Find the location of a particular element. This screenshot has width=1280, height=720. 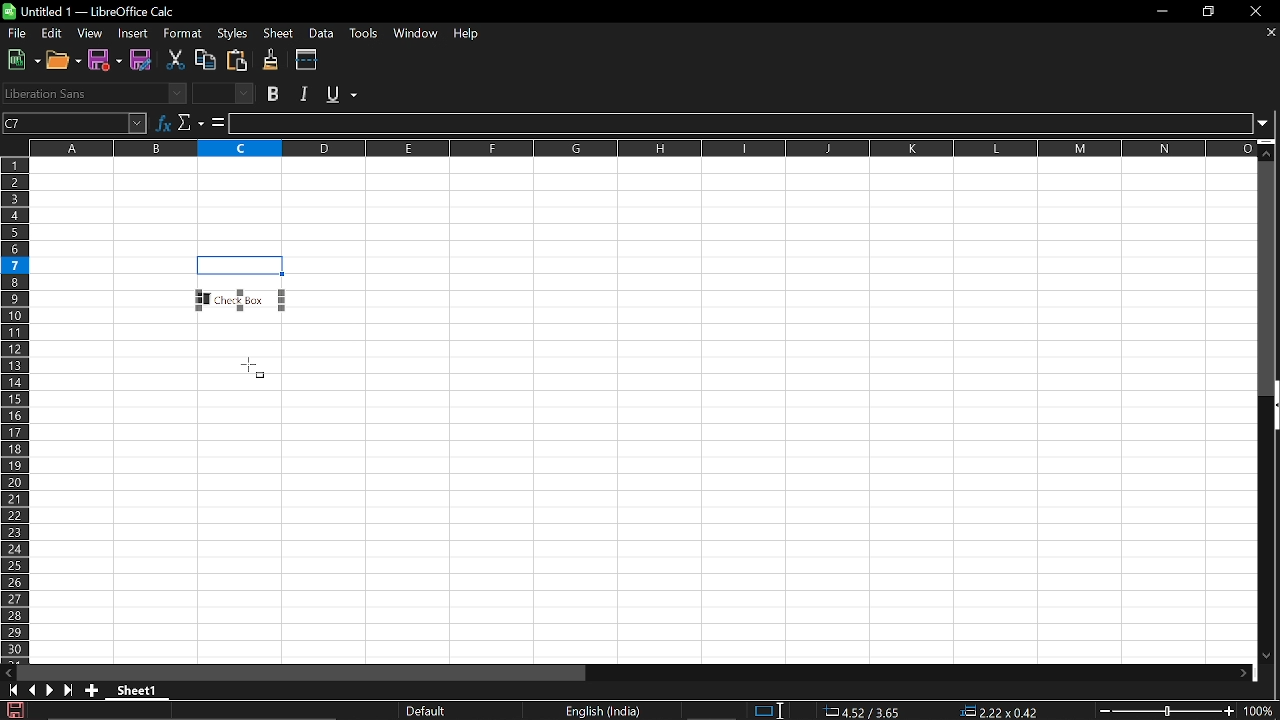

Open is located at coordinates (64, 60).